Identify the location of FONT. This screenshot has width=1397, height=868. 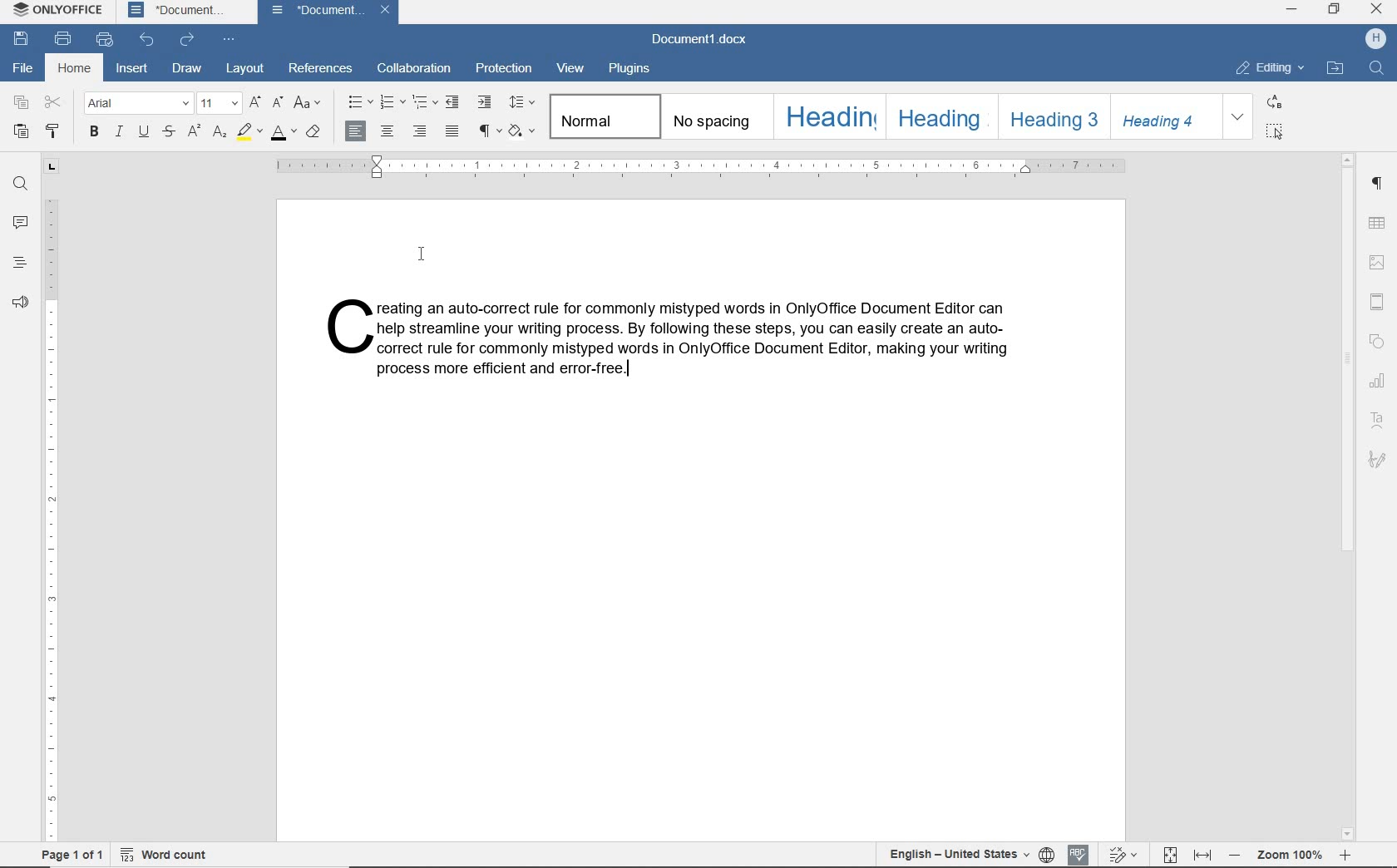
(138, 105).